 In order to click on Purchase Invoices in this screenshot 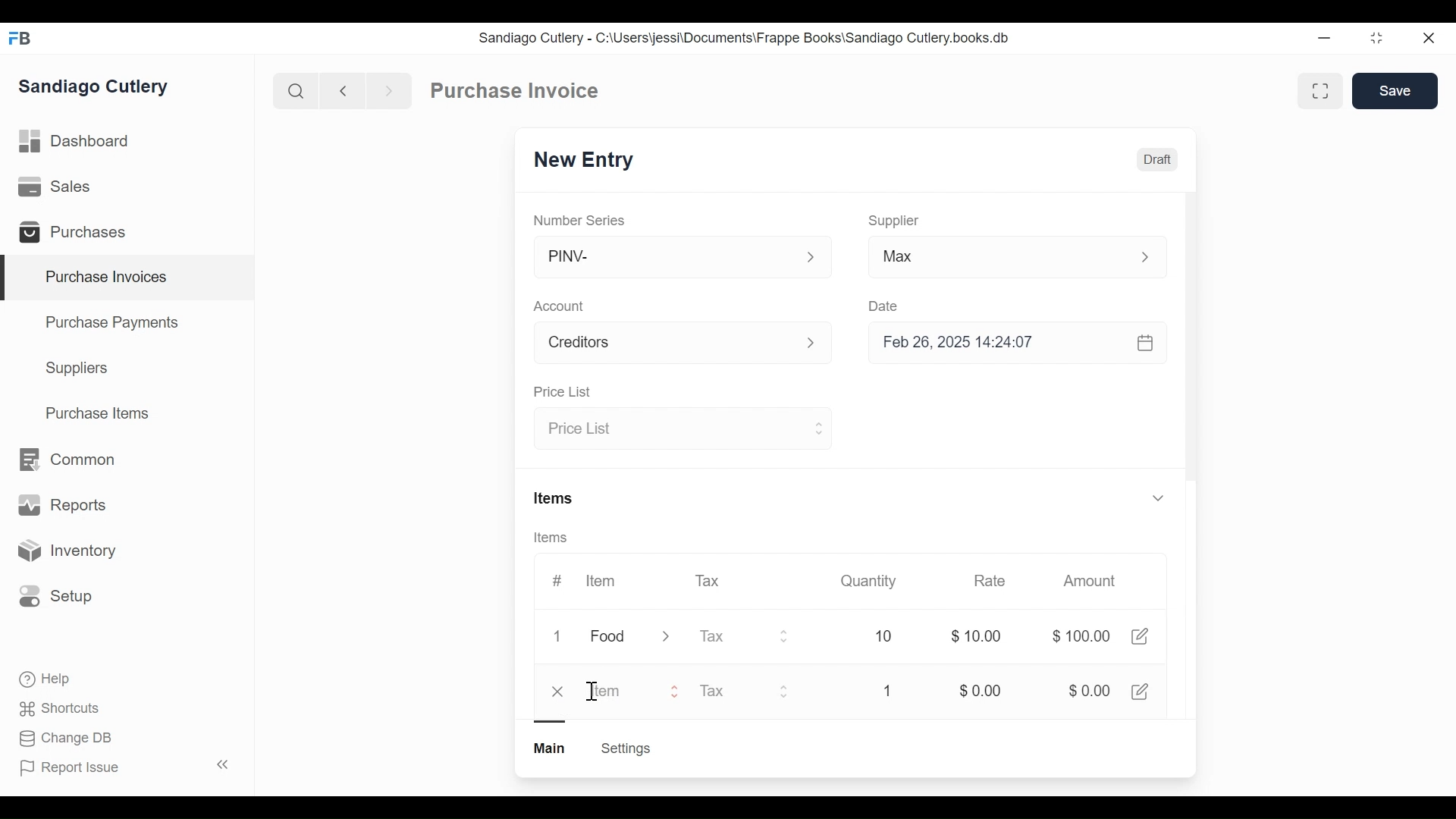, I will do `click(128, 278)`.